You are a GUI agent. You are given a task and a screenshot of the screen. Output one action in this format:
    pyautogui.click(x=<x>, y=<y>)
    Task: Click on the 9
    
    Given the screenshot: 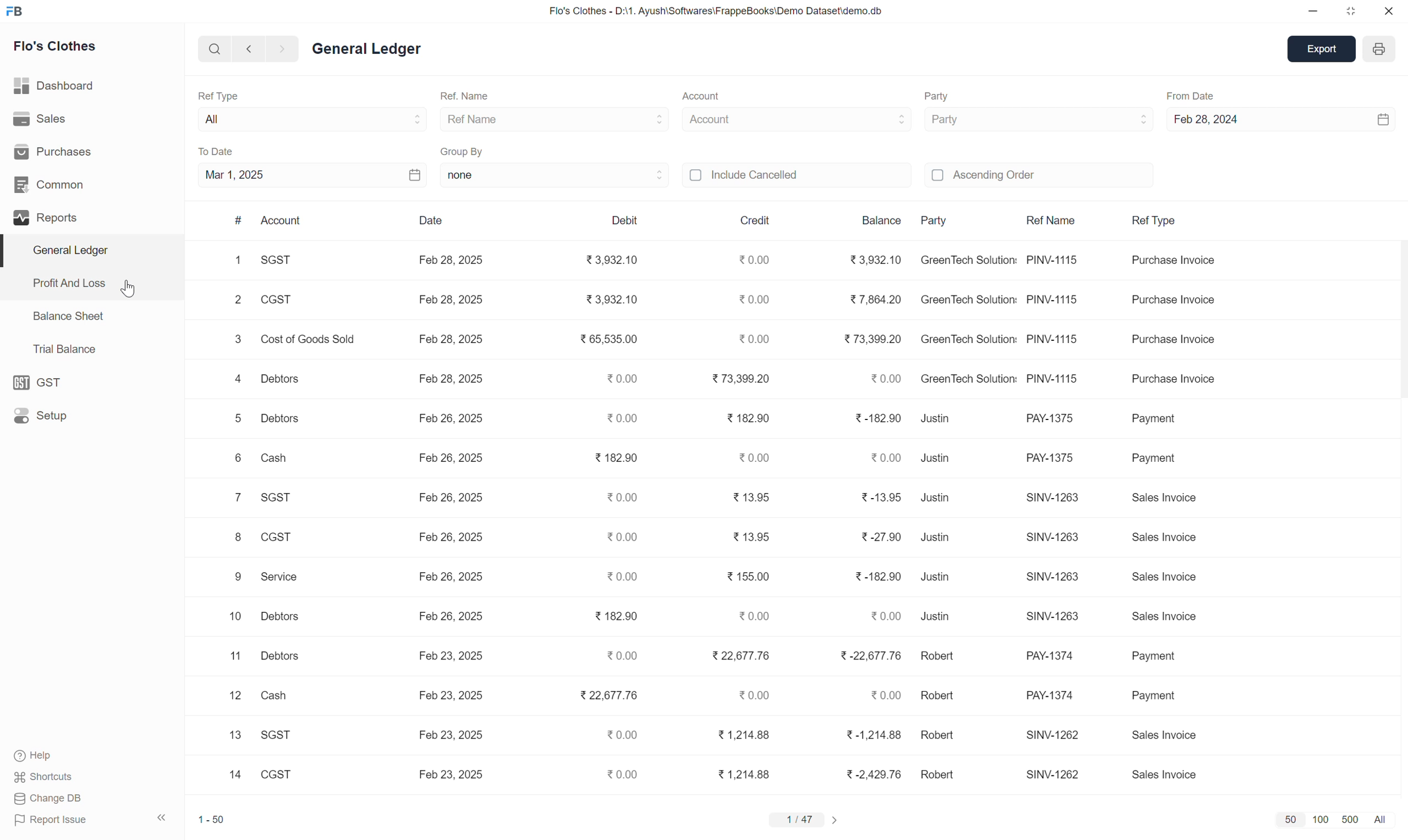 What is the action you would take?
    pyautogui.click(x=239, y=577)
    